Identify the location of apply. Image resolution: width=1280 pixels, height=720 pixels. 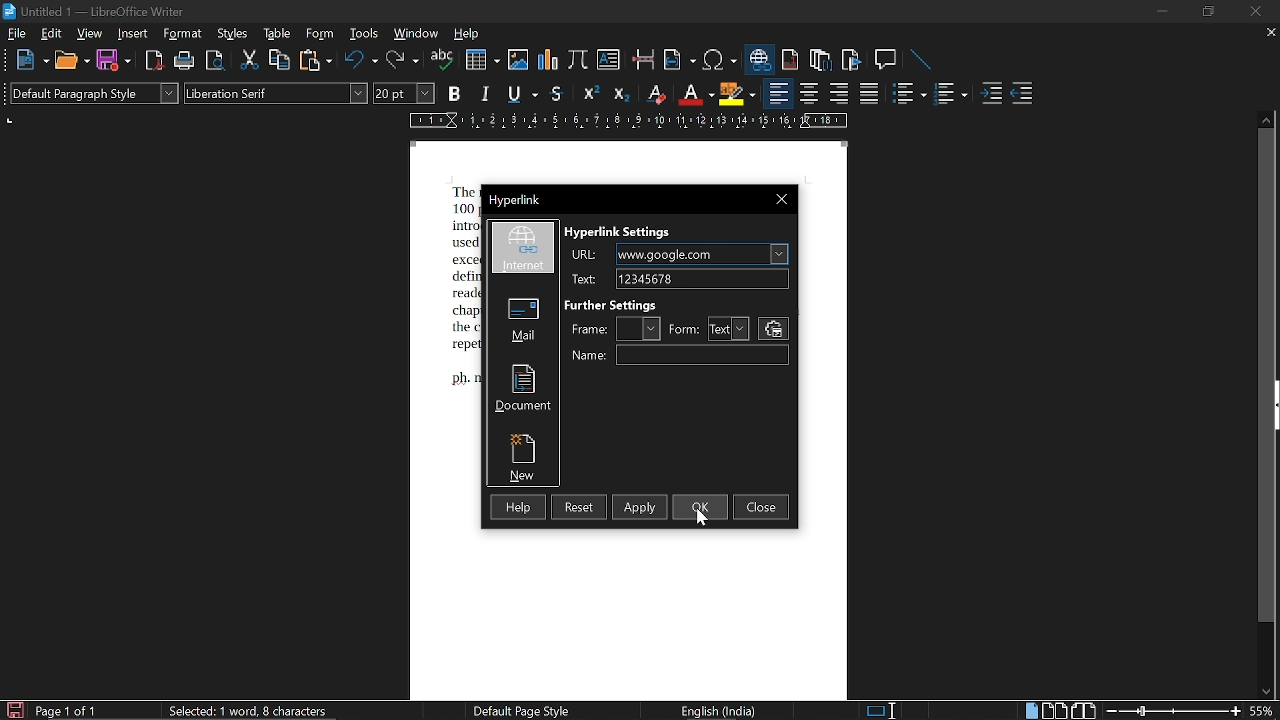
(639, 507).